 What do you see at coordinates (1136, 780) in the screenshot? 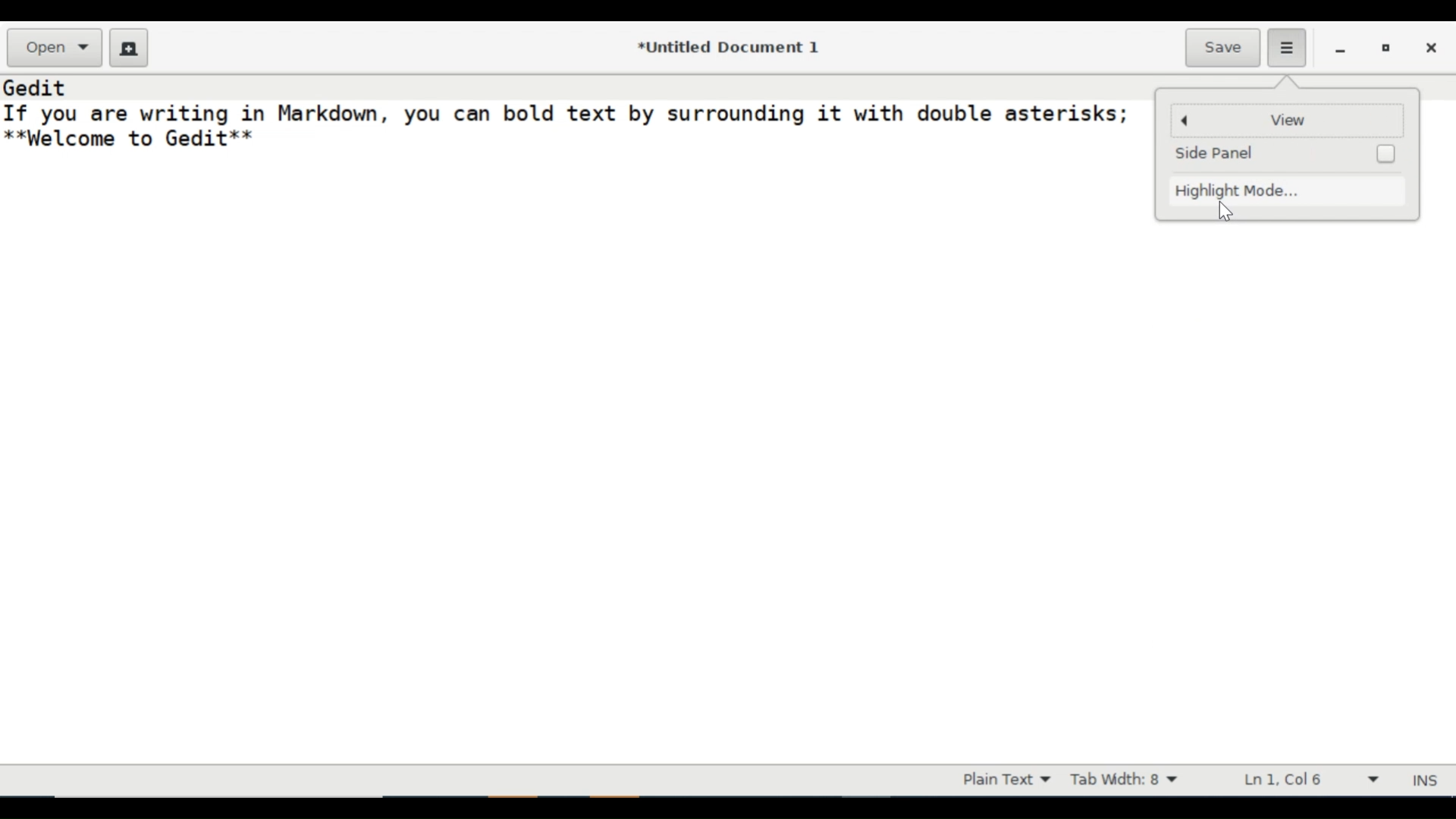
I see `Tab Width` at bounding box center [1136, 780].